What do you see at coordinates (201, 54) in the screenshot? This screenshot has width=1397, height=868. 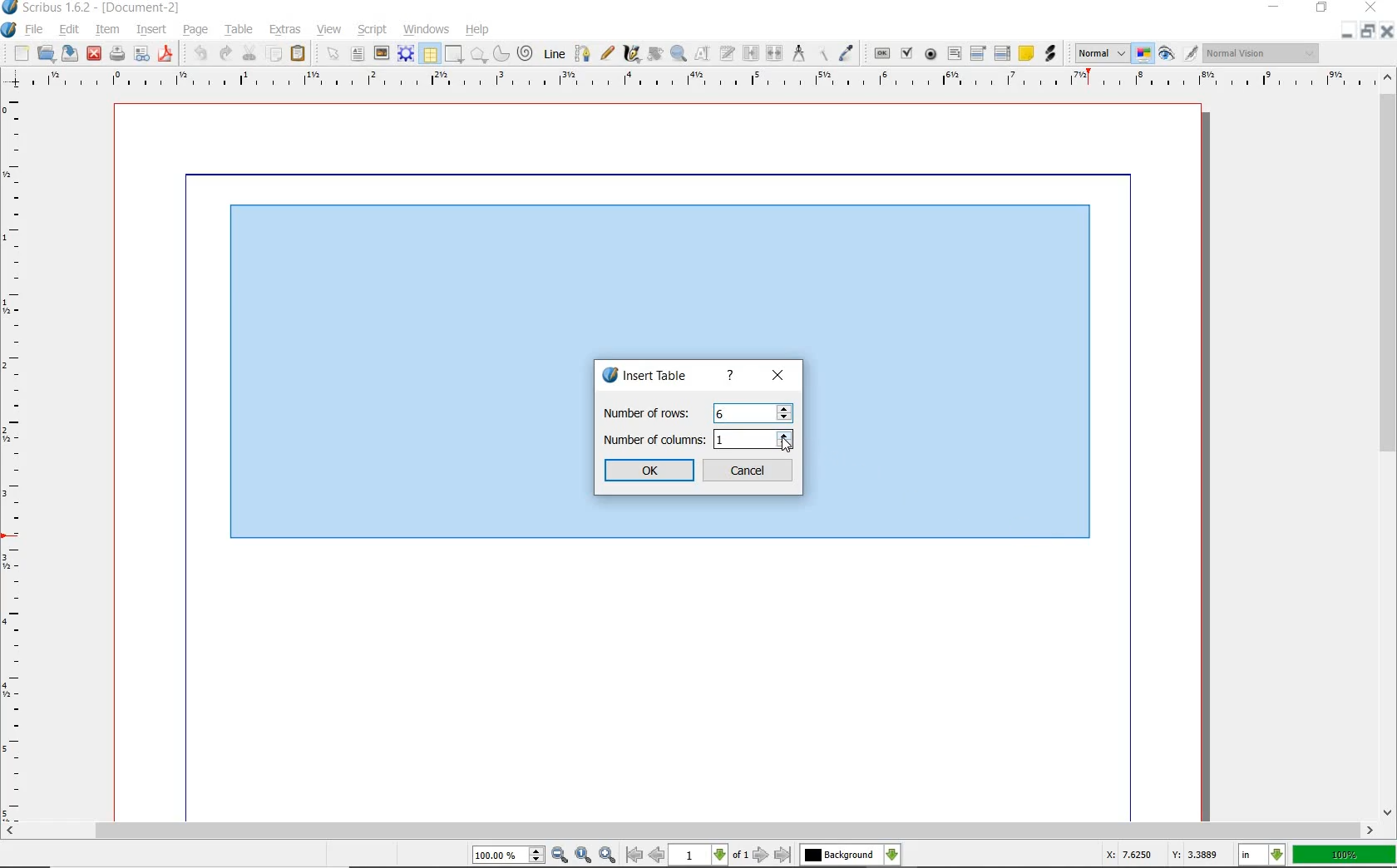 I see `undo` at bounding box center [201, 54].